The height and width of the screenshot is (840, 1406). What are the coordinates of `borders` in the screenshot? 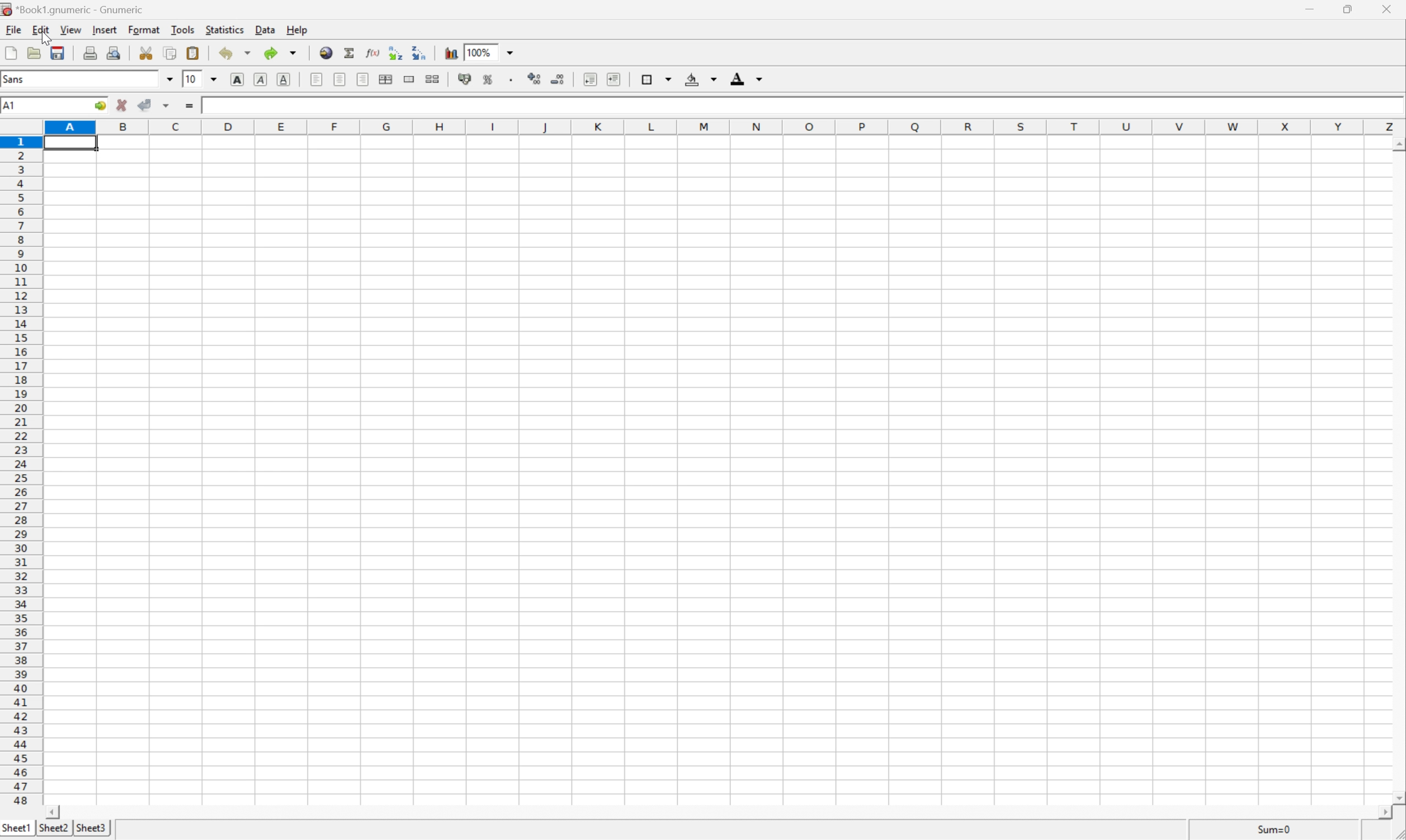 It's located at (656, 79).